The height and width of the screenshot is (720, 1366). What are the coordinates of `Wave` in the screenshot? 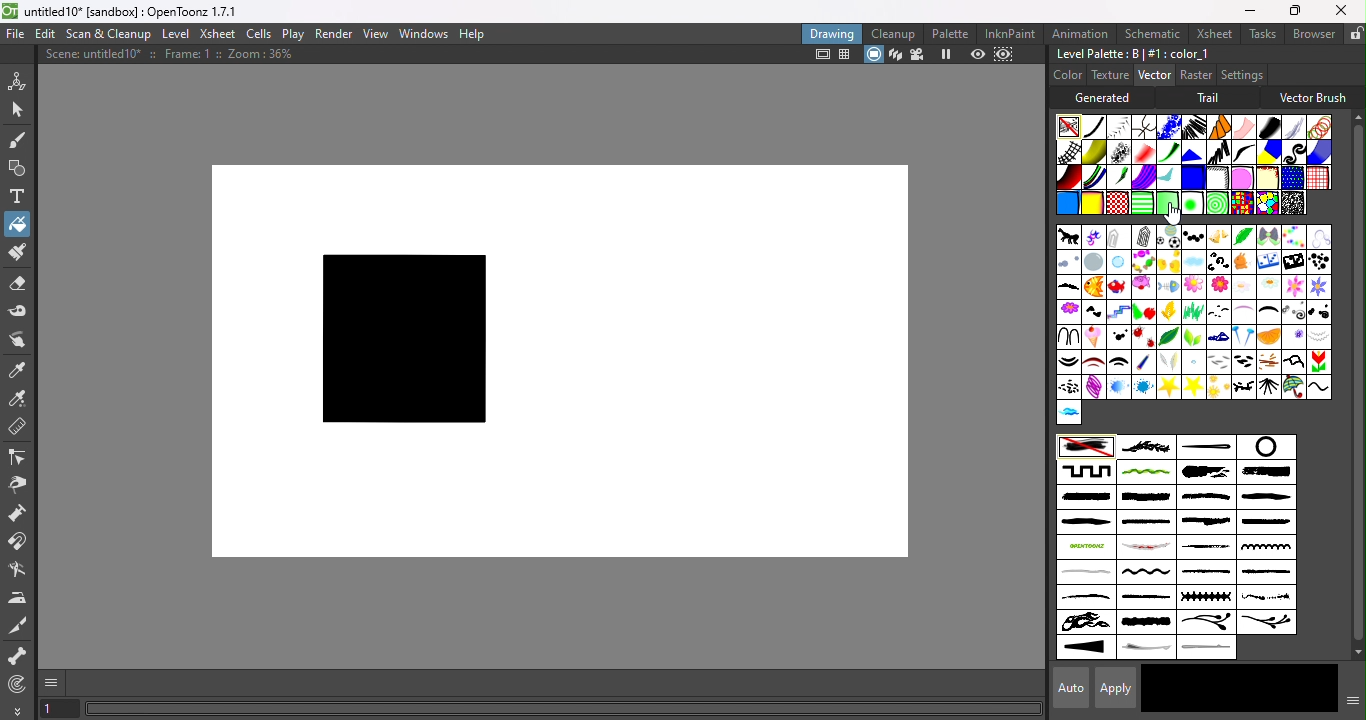 It's located at (1319, 387).